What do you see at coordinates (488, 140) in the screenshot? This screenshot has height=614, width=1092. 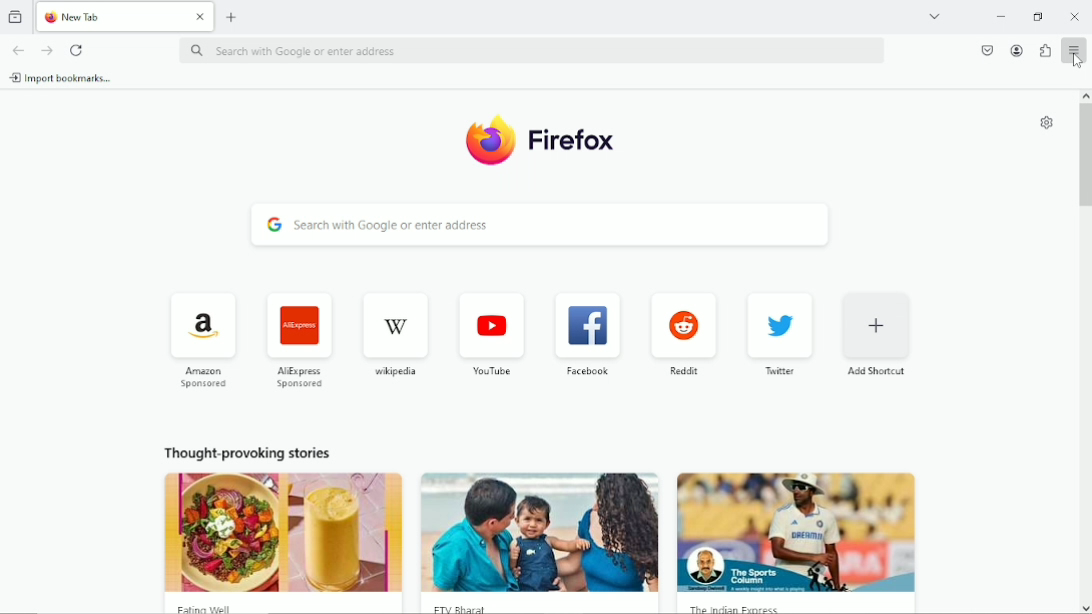 I see `icon` at bounding box center [488, 140].